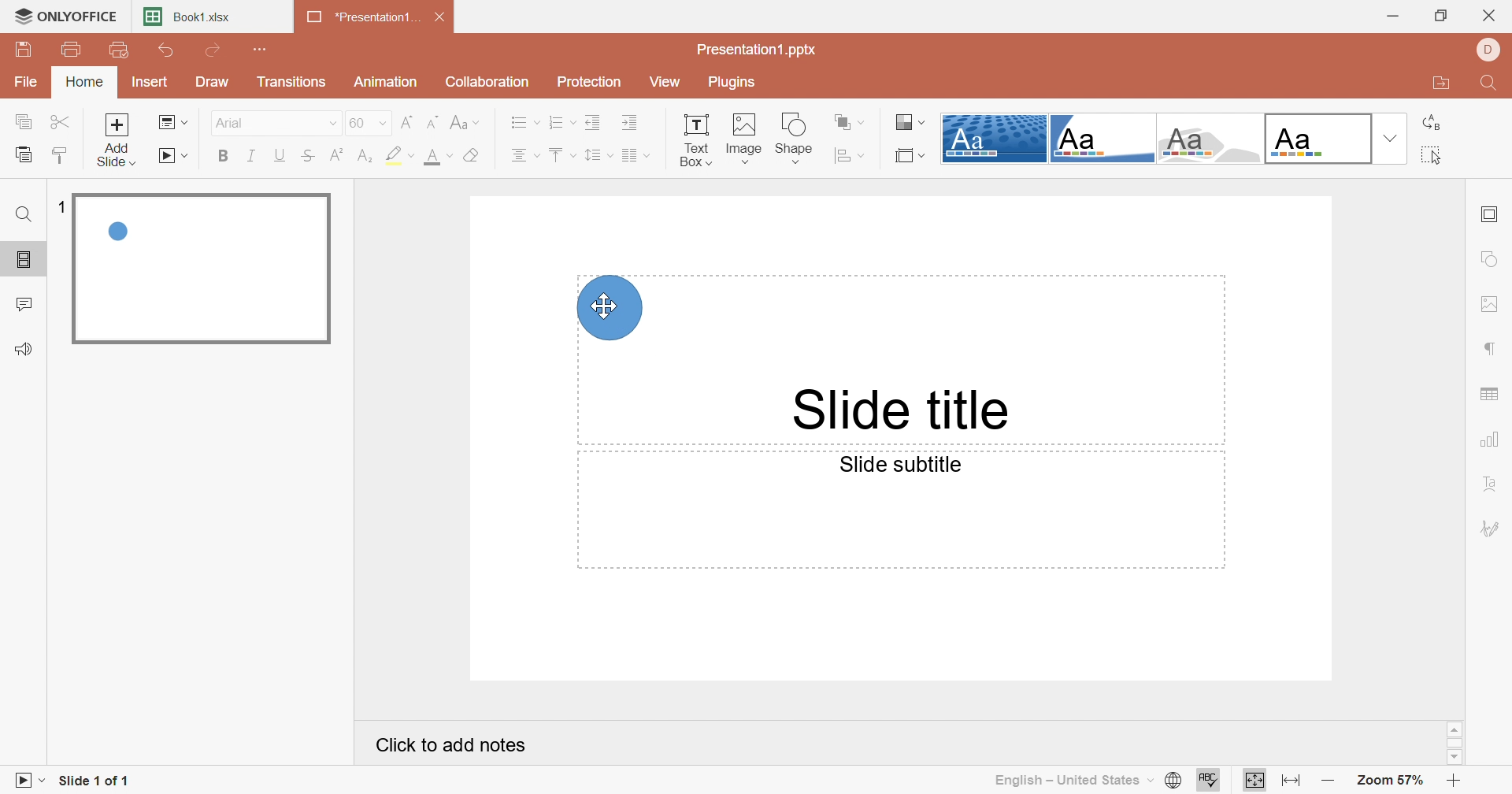 The height and width of the screenshot is (794, 1512). I want to click on Transitions, so click(296, 84).